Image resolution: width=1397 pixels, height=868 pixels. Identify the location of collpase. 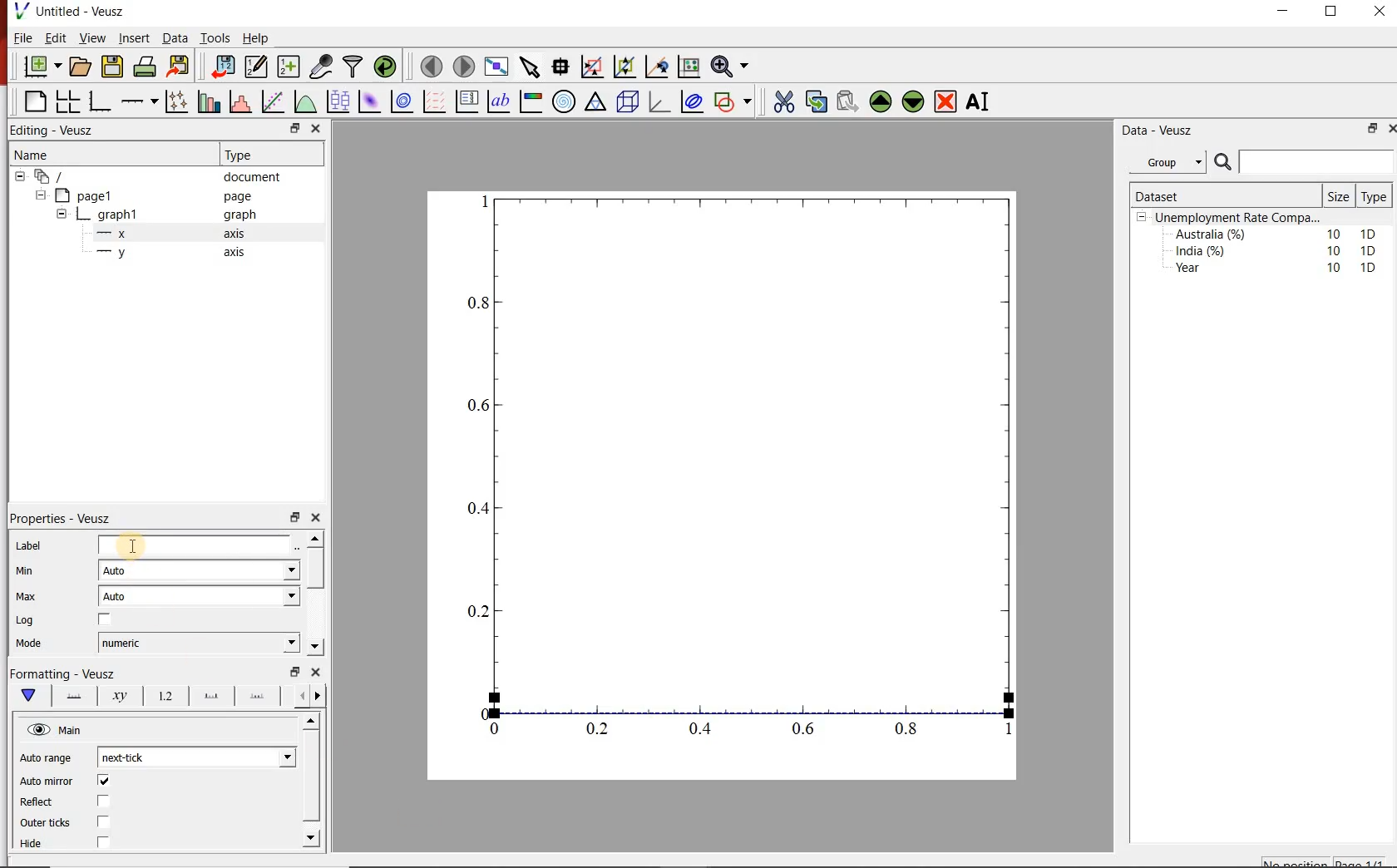
(1142, 218).